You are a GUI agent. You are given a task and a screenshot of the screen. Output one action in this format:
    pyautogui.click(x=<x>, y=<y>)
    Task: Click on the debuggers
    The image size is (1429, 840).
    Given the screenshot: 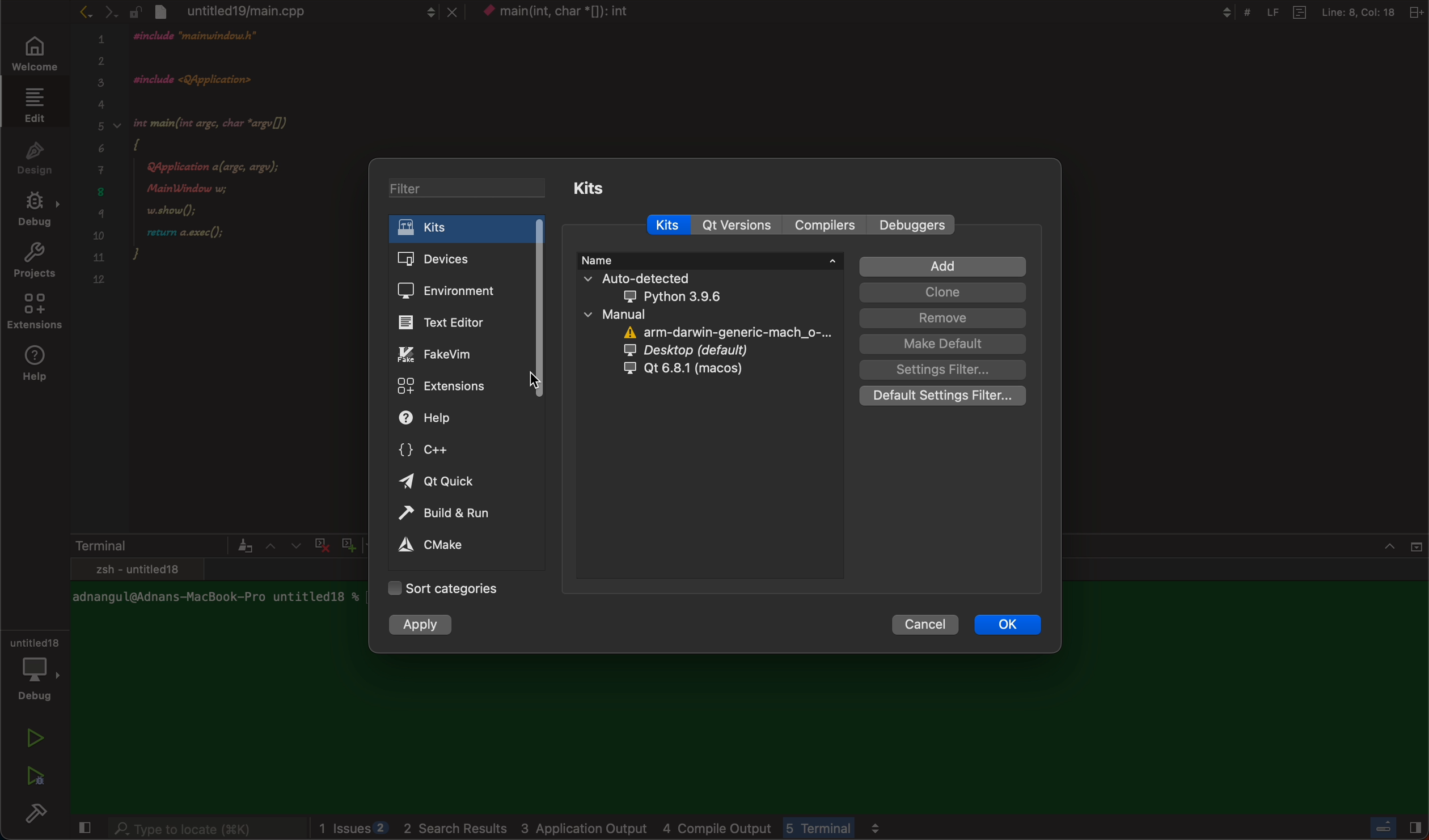 What is the action you would take?
    pyautogui.click(x=914, y=226)
    